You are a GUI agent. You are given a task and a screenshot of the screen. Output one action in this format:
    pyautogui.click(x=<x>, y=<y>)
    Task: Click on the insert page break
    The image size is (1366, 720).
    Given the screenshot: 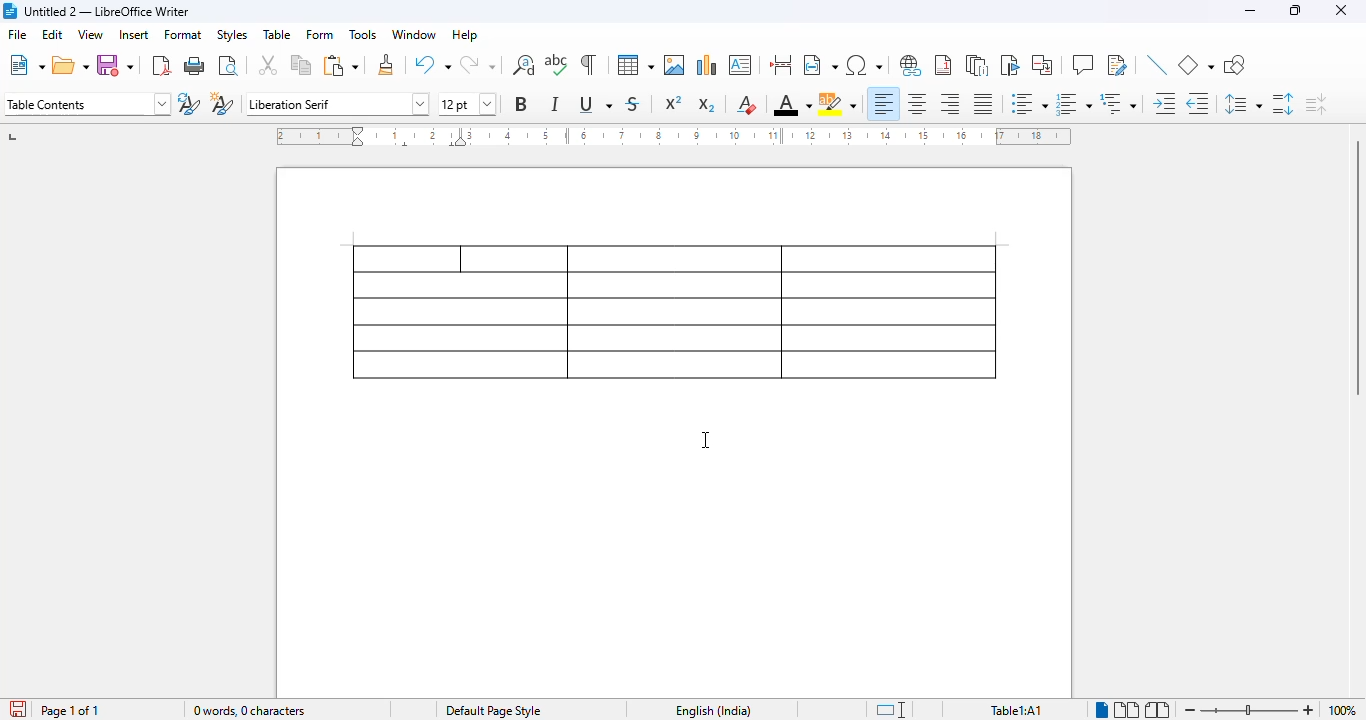 What is the action you would take?
    pyautogui.click(x=781, y=65)
    